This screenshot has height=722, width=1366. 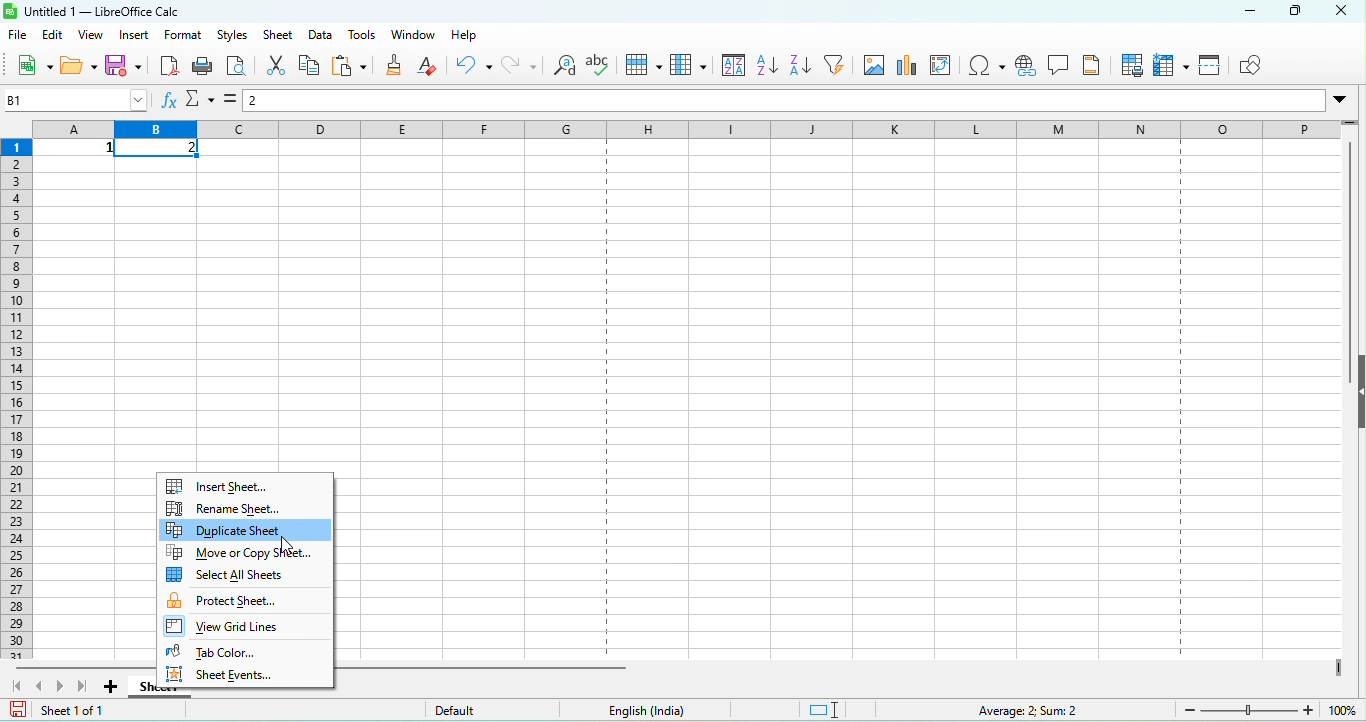 What do you see at coordinates (206, 68) in the screenshot?
I see `print` at bounding box center [206, 68].